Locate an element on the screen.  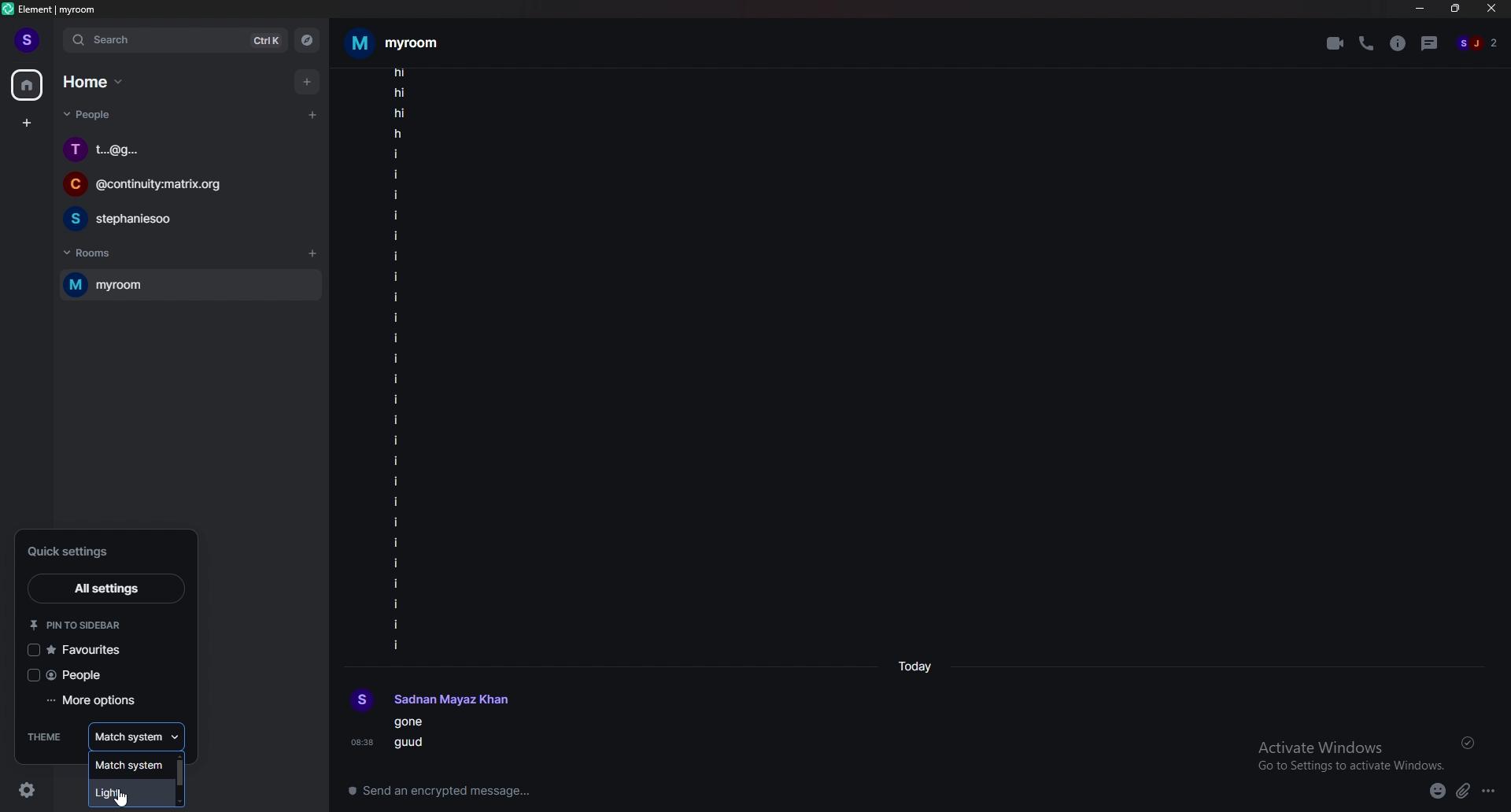
add room is located at coordinates (312, 253).